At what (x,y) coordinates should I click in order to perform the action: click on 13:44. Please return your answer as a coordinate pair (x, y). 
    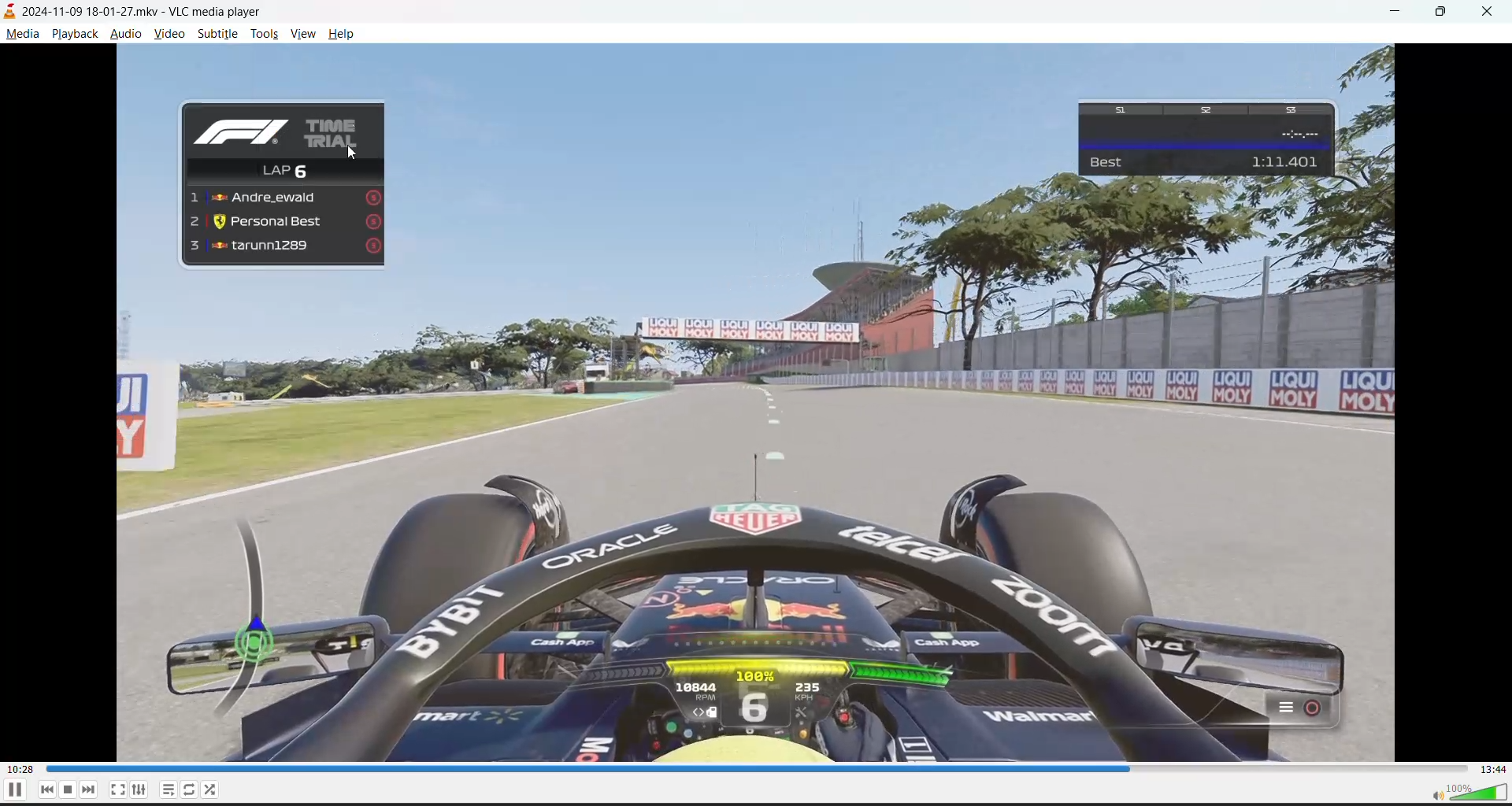
    Looking at the image, I should click on (1492, 769).